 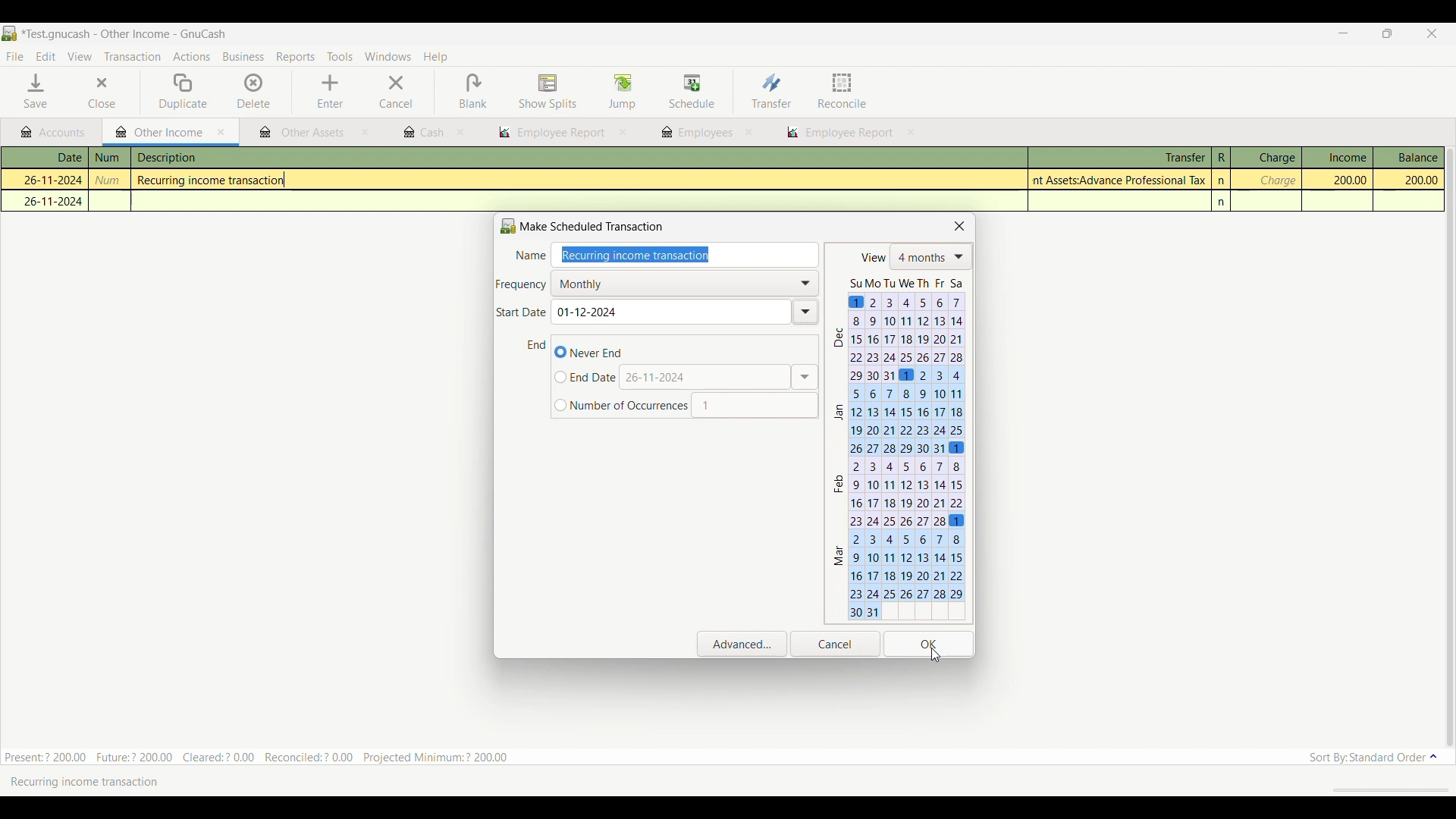 What do you see at coordinates (95, 782) in the screenshot?
I see `Recurring income transaction` at bounding box center [95, 782].